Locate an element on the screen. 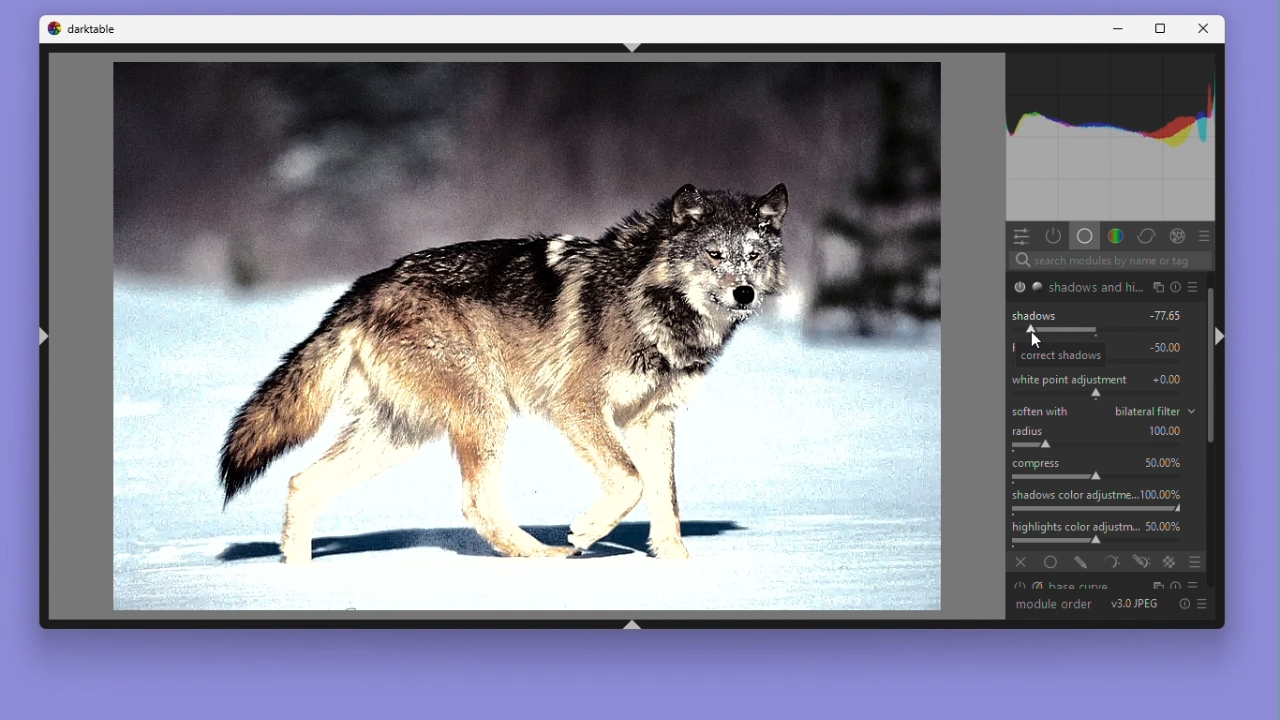 The width and height of the screenshot is (1280, 720). 50.00% is located at coordinates (1161, 462).